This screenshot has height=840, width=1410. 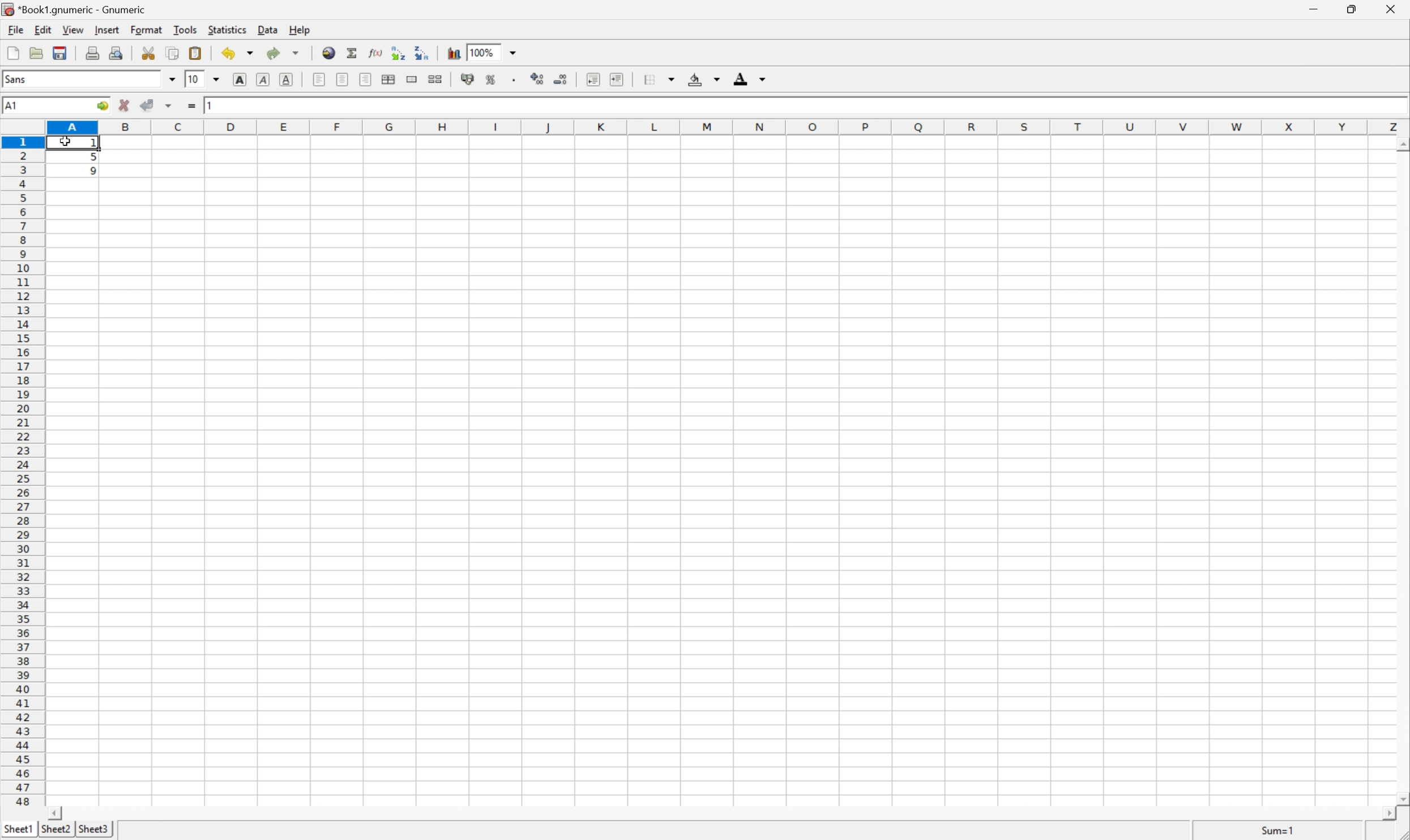 I want to click on go to, so click(x=102, y=106).